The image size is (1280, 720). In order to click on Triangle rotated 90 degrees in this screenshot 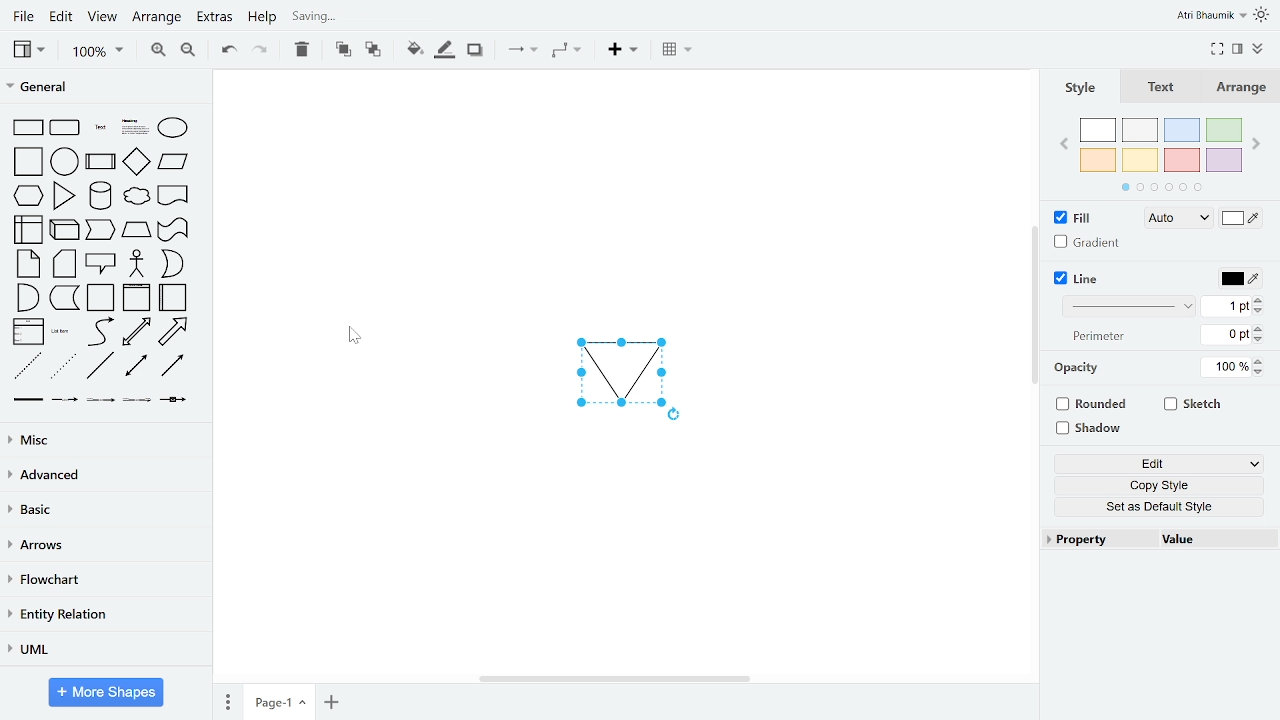, I will do `click(616, 371)`.